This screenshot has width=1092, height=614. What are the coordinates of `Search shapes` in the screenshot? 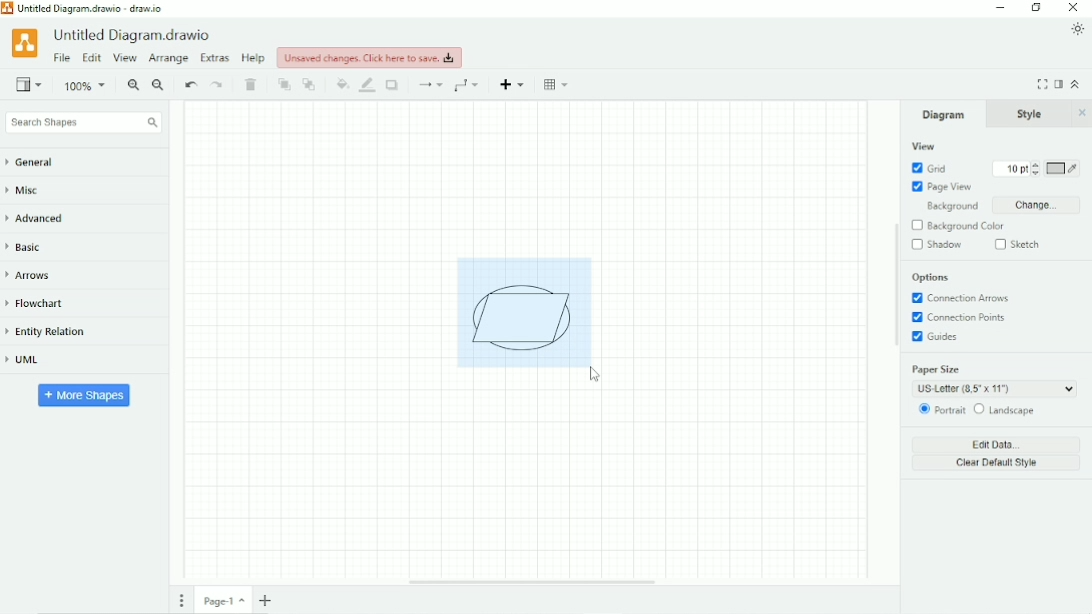 It's located at (83, 123).